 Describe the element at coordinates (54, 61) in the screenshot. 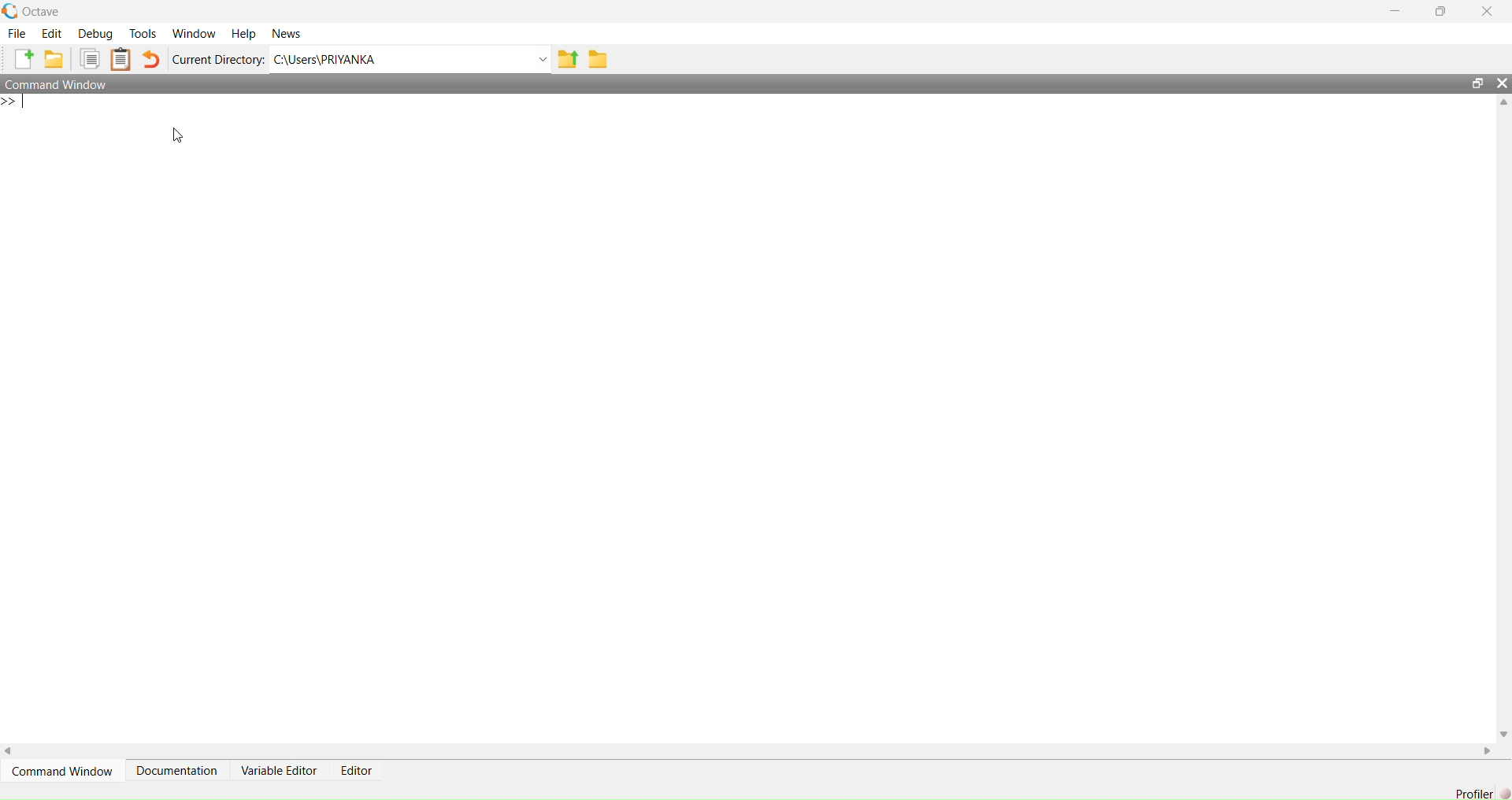

I see `save` at that location.